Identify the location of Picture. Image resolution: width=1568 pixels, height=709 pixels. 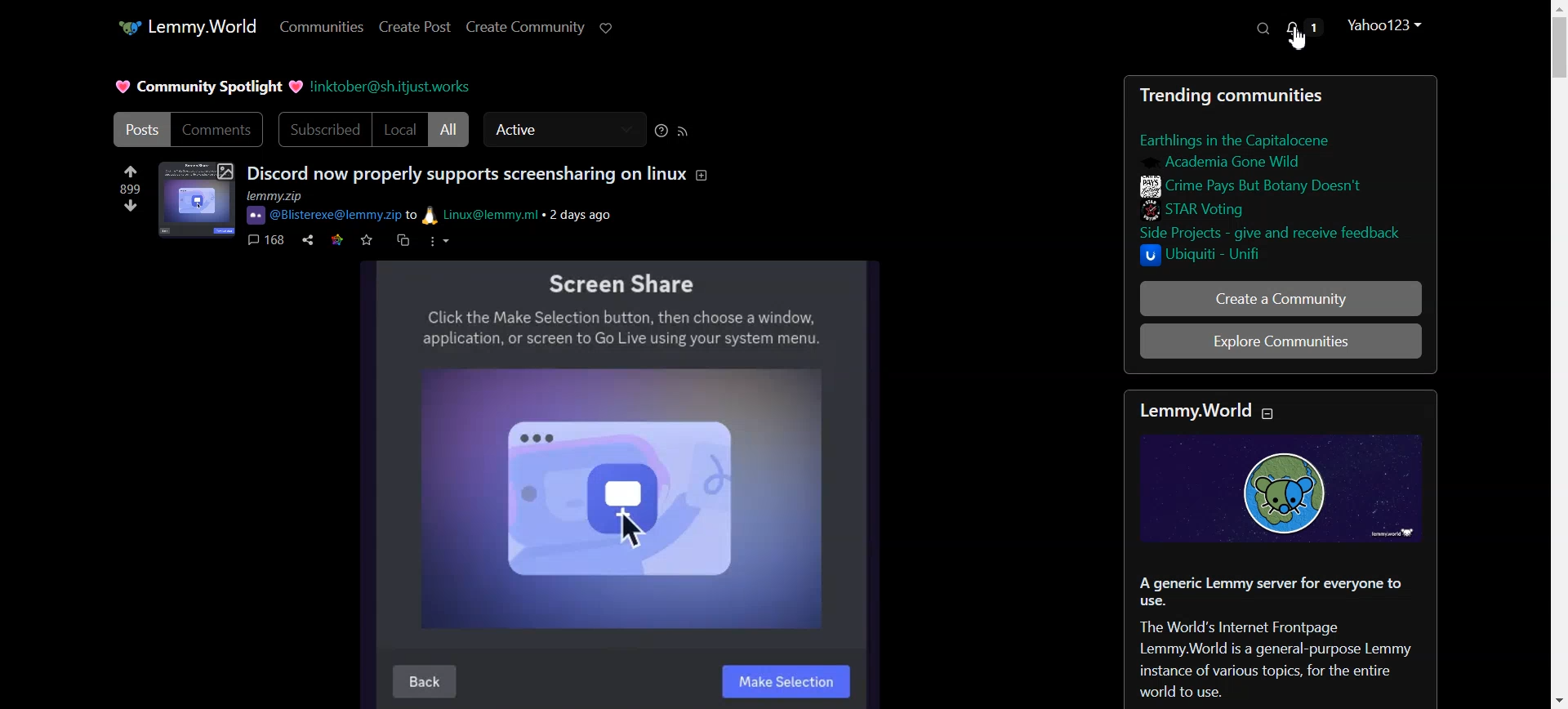
(621, 482).